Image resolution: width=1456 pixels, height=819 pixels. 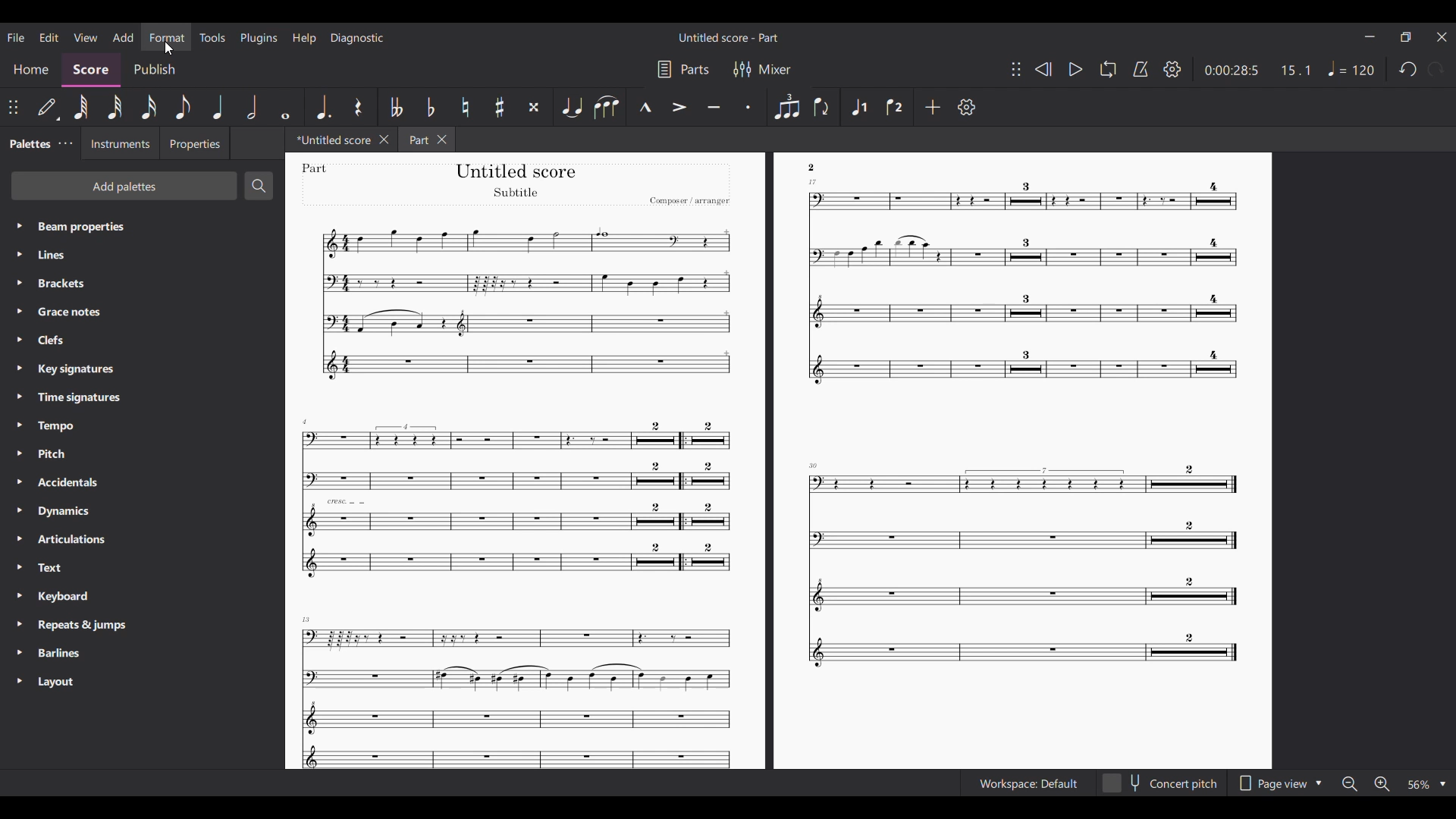 What do you see at coordinates (1024, 283) in the screenshot?
I see `` at bounding box center [1024, 283].